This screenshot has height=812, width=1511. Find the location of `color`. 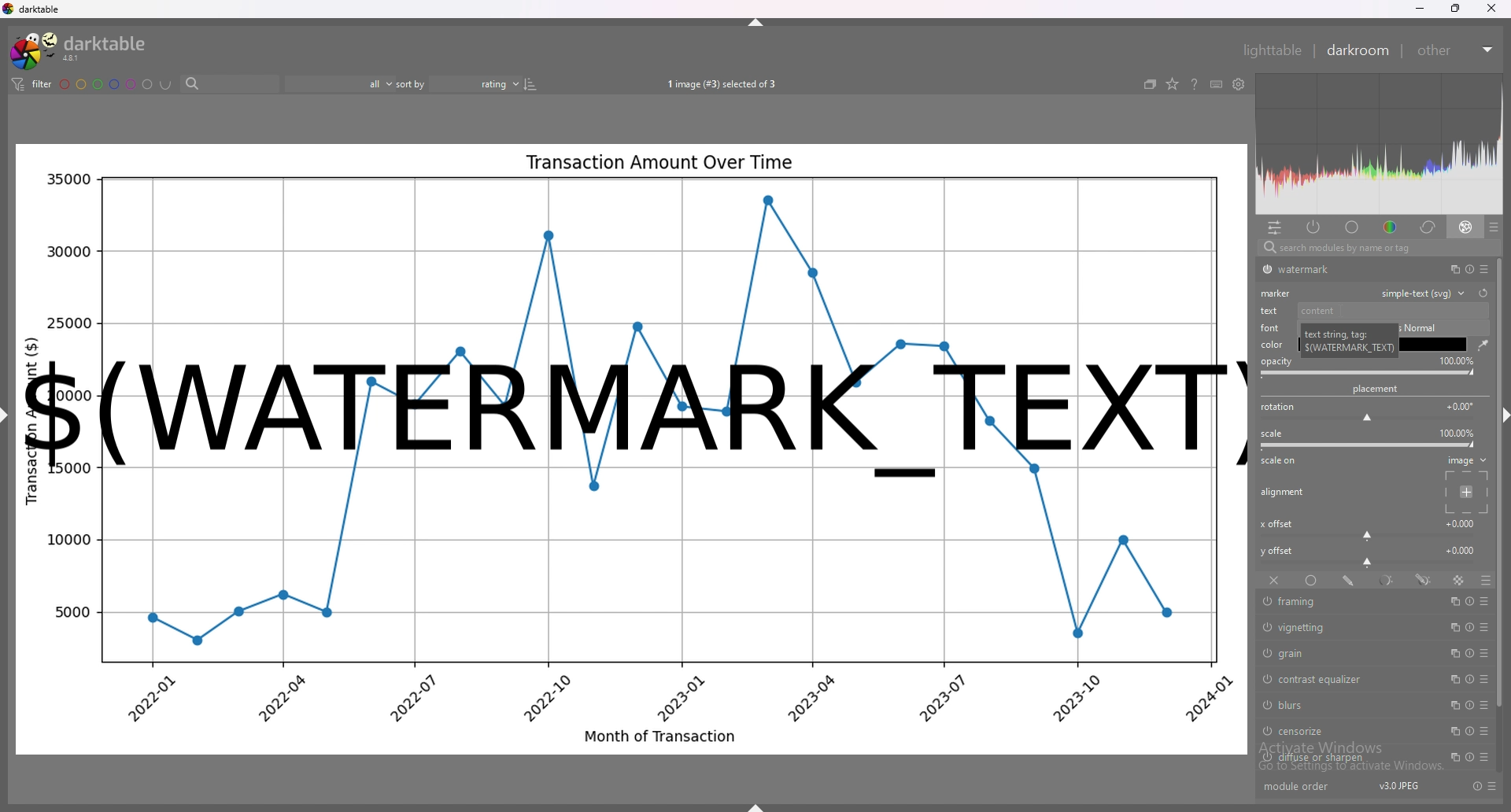

color is located at coordinates (1272, 345).